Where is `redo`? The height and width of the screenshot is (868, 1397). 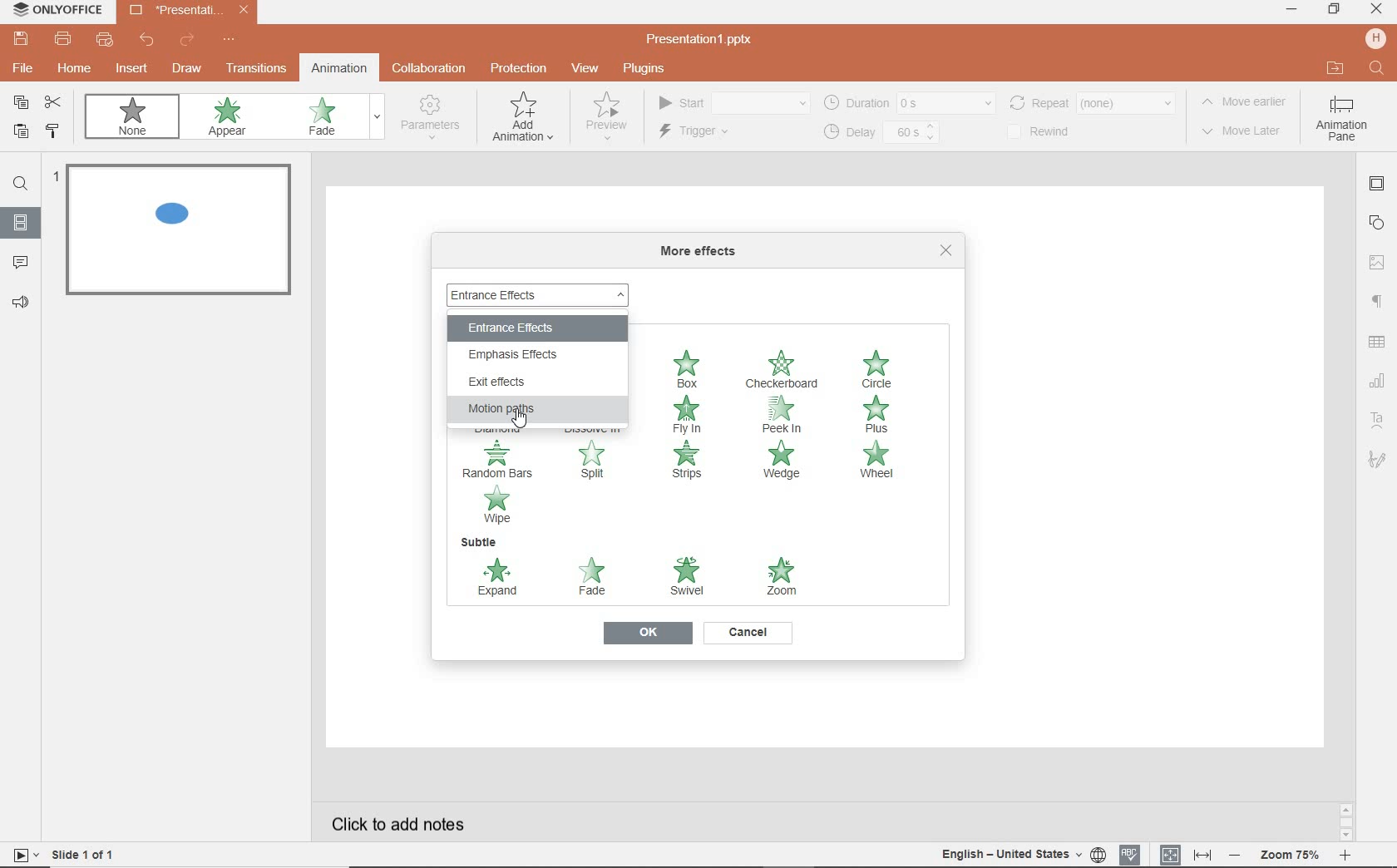 redo is located at coordinates (186, 41).